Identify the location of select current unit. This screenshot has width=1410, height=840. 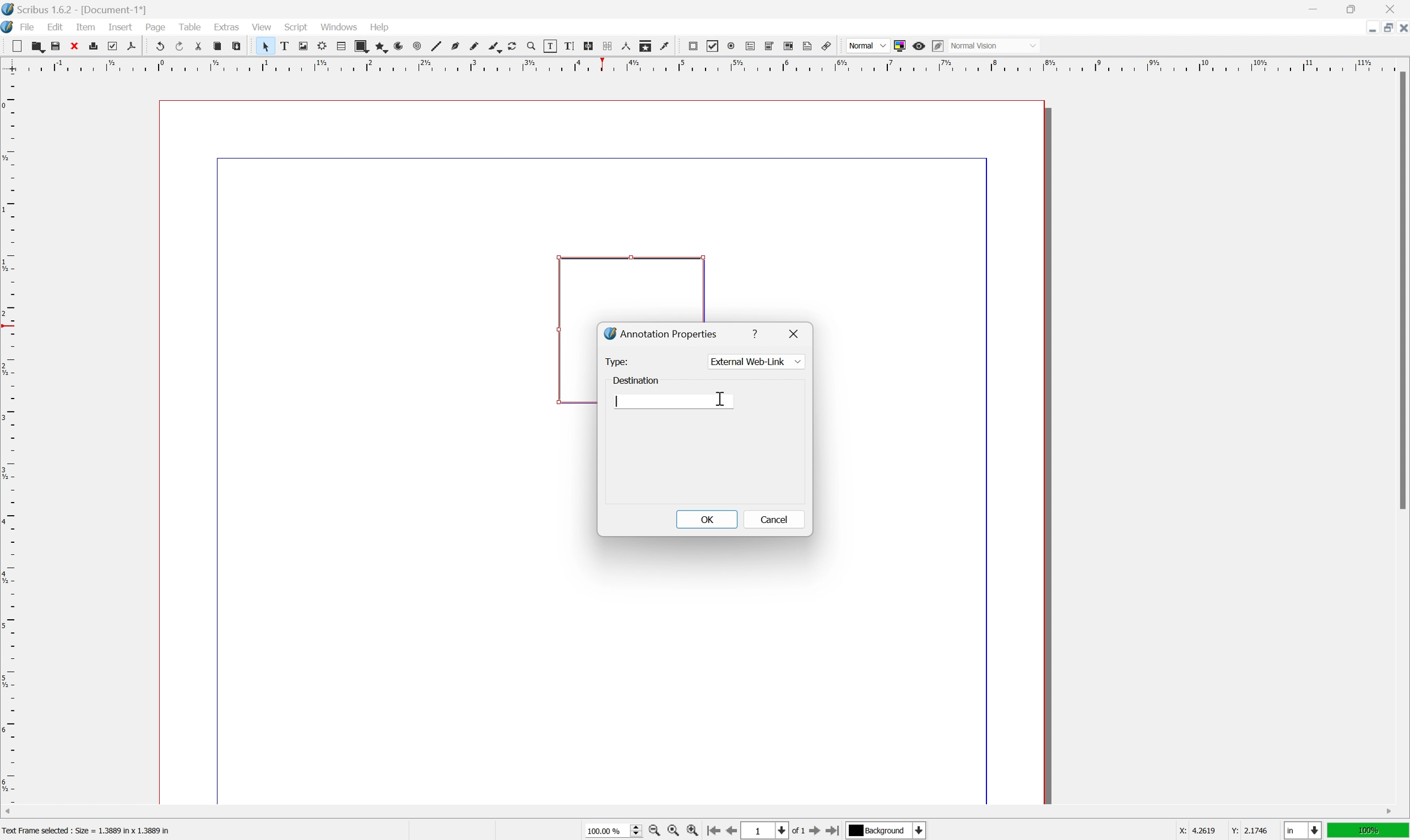
(1302, 830).